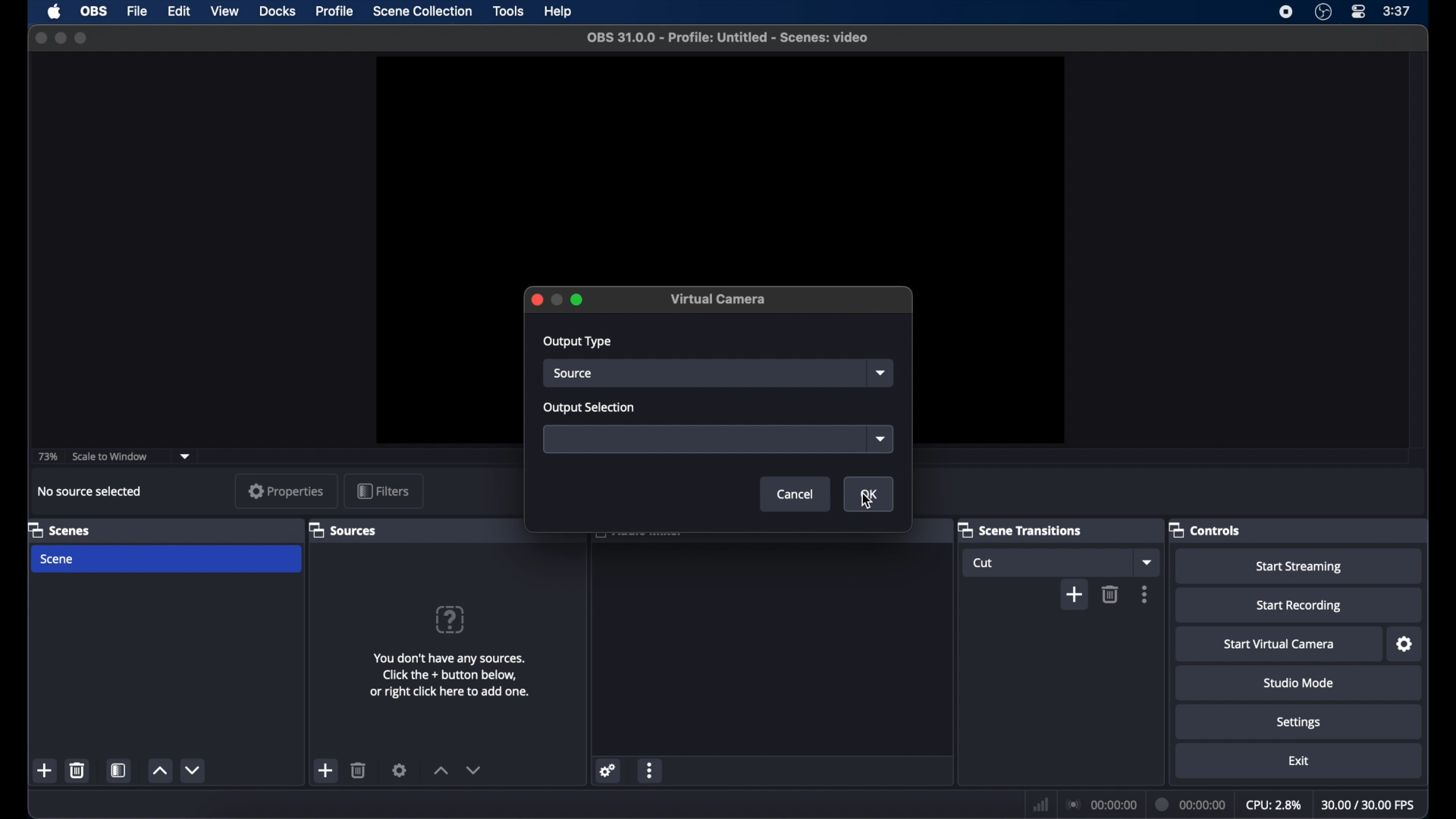 The height and width of the screenshot is (819, 1456). What do you see at coordinates (1405, 644) in the screenshot?
I see `settings` at bounding box center [1405, 644].